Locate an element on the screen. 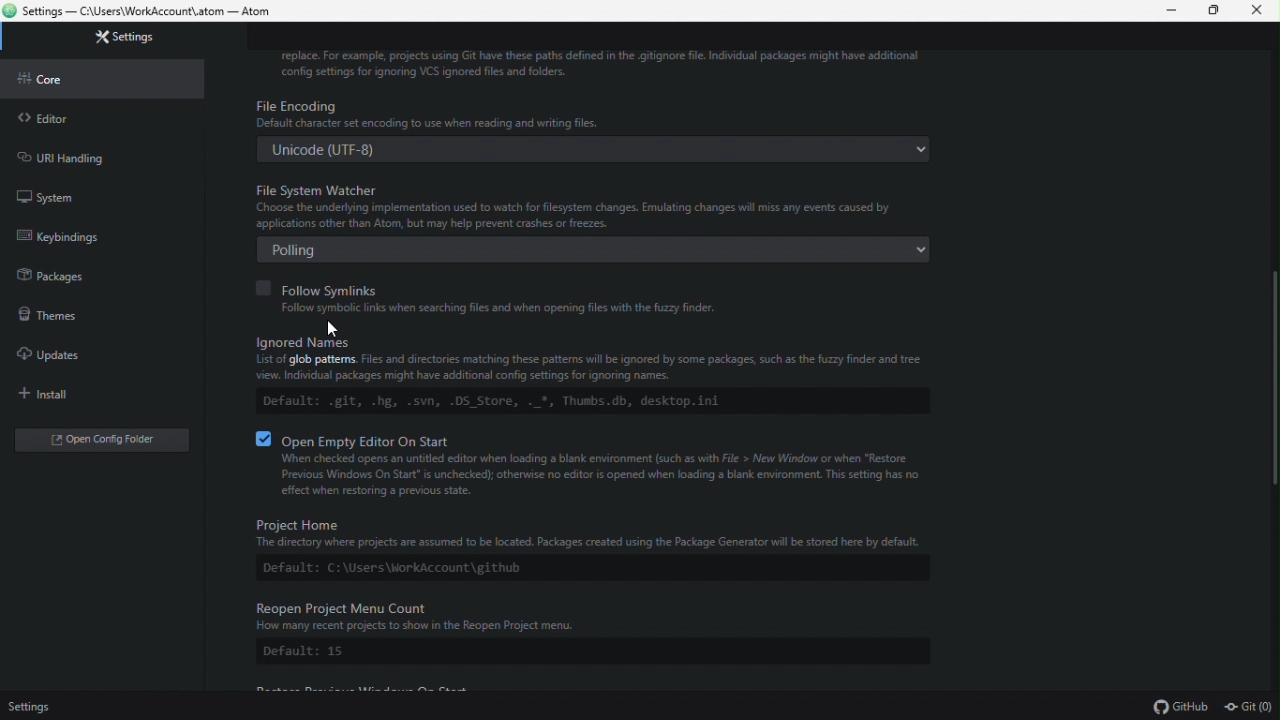 The width and height of the screenshot is (1280, 720). Polling is located at coordinates (599, 249).